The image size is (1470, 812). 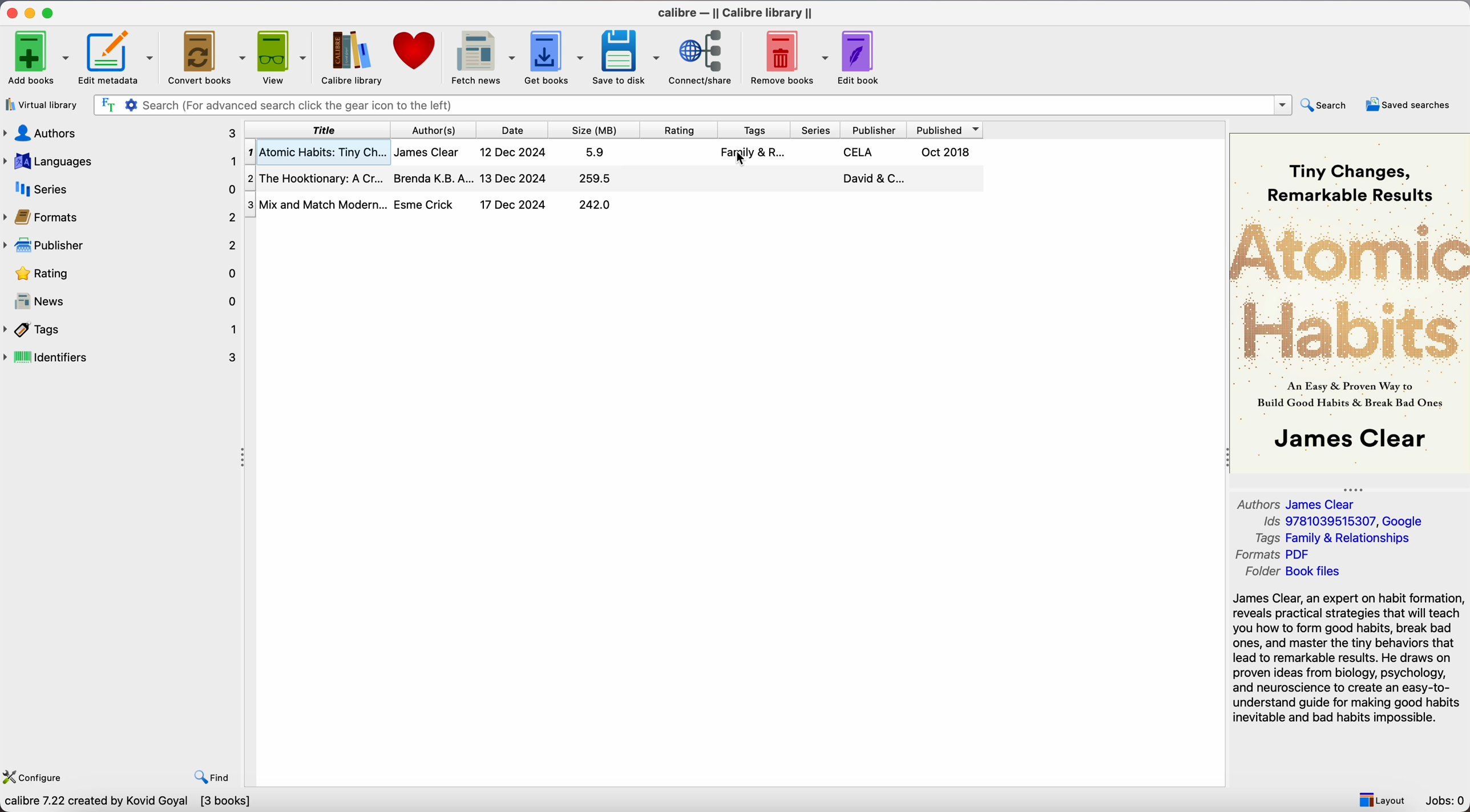 I want to click on Mix and Match Modern..., so click(x=316, y=201).